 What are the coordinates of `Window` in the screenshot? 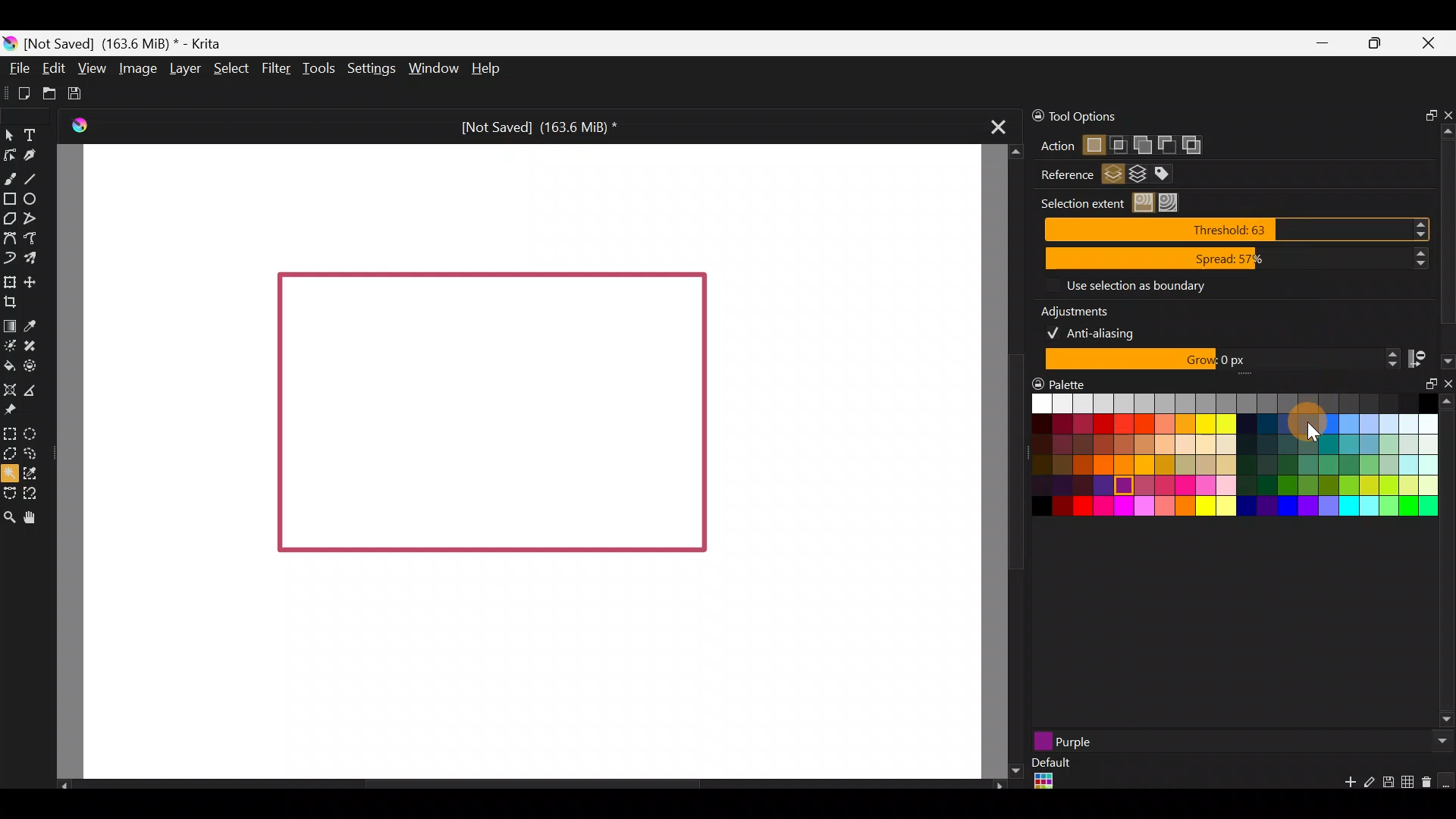 It's located at (431, 67).